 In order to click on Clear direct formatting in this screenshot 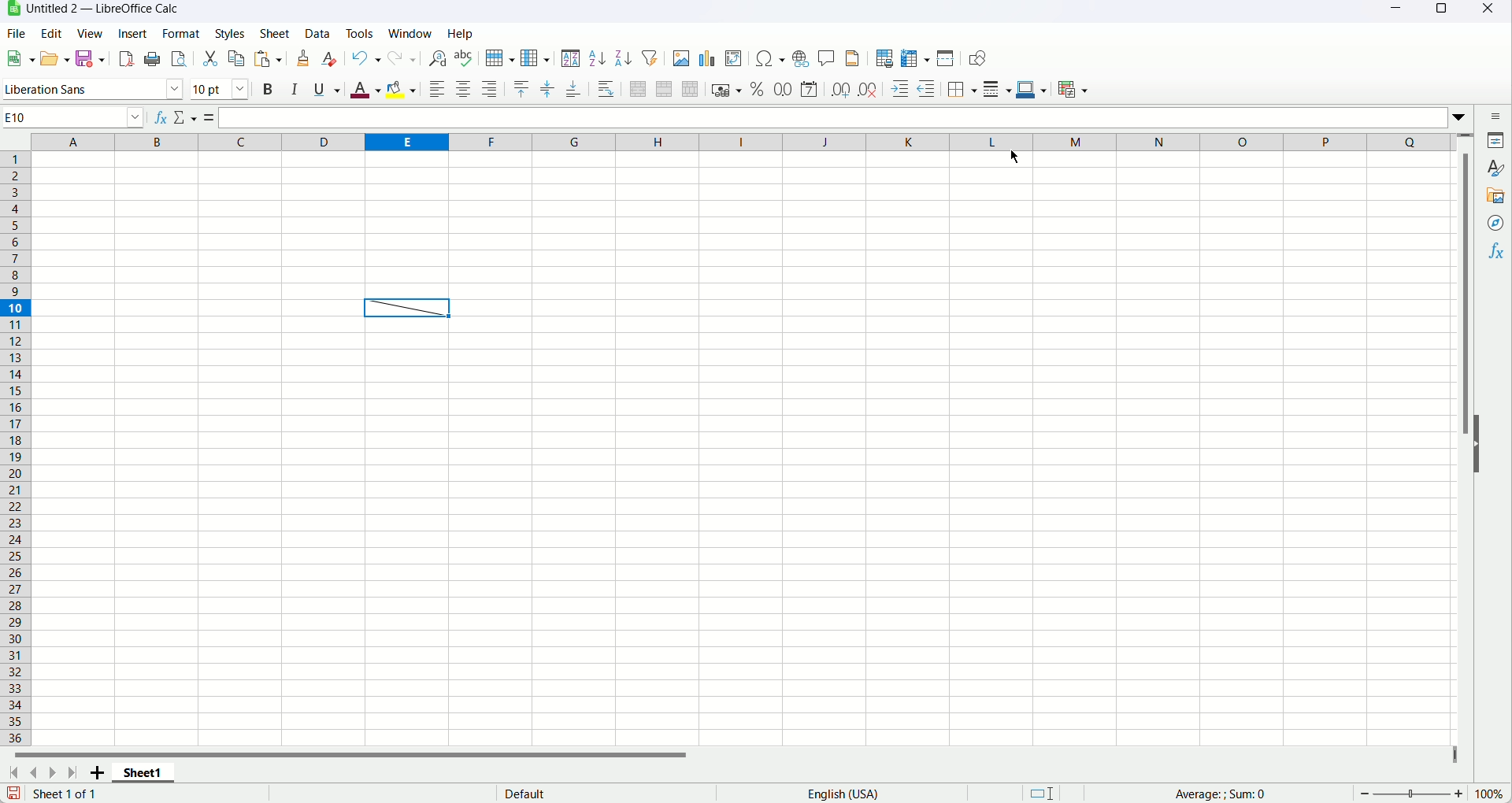, I will do `click(330, 59)`.